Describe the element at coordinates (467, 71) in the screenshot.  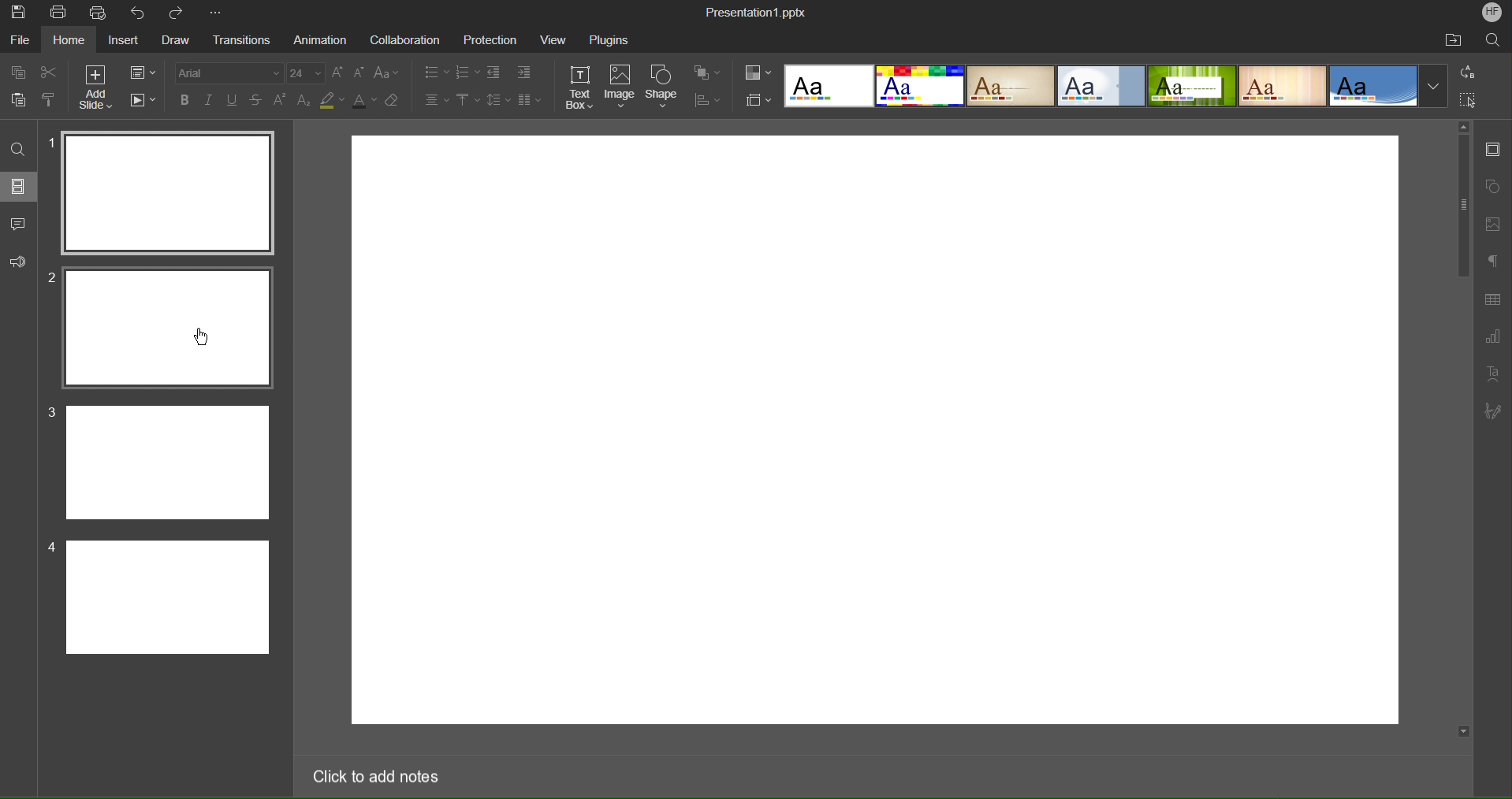
I see `Numbered List` at that location.